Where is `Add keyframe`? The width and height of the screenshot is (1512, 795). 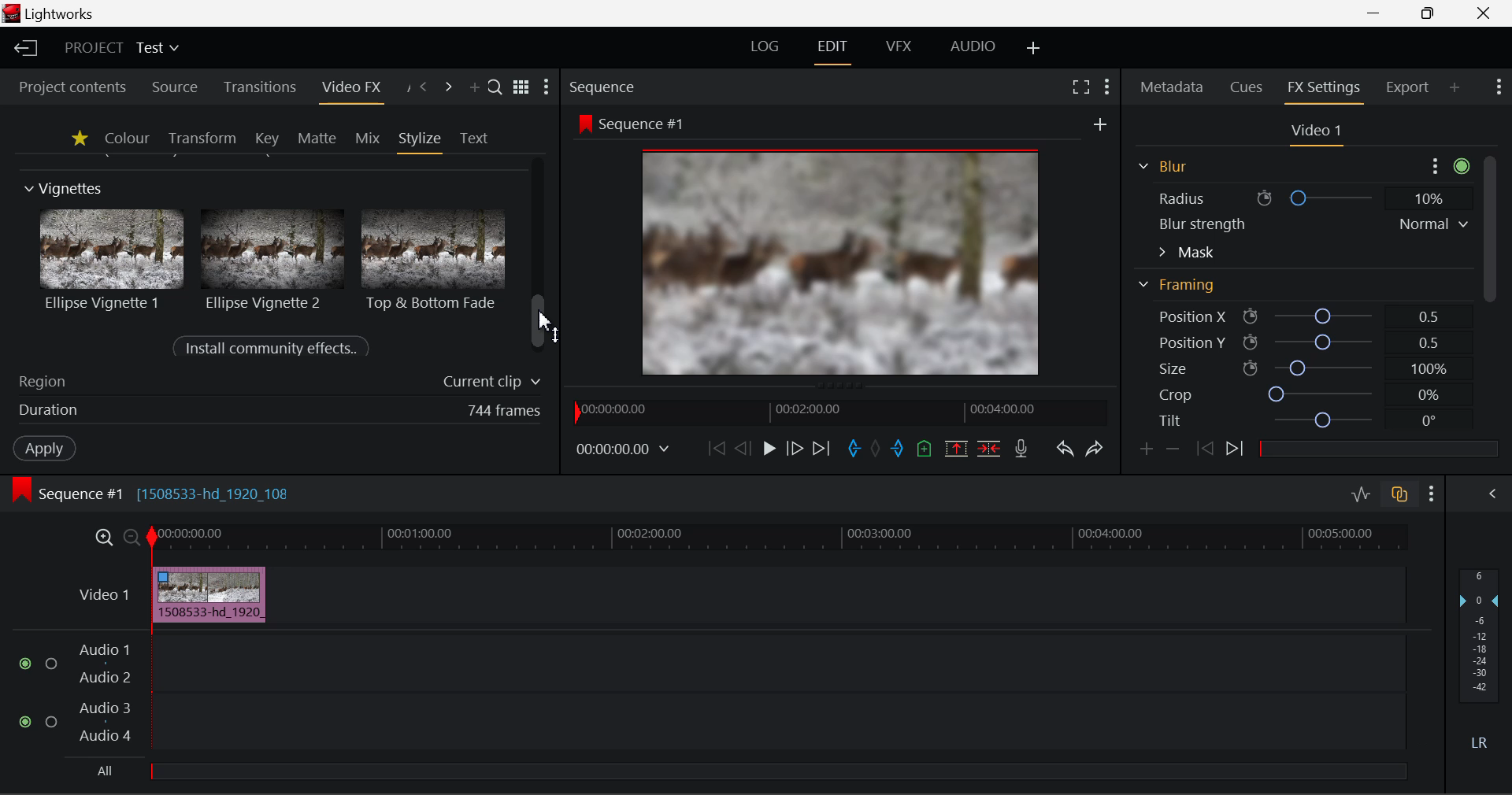
Add keyframe is located at coordinates (1145, 449).